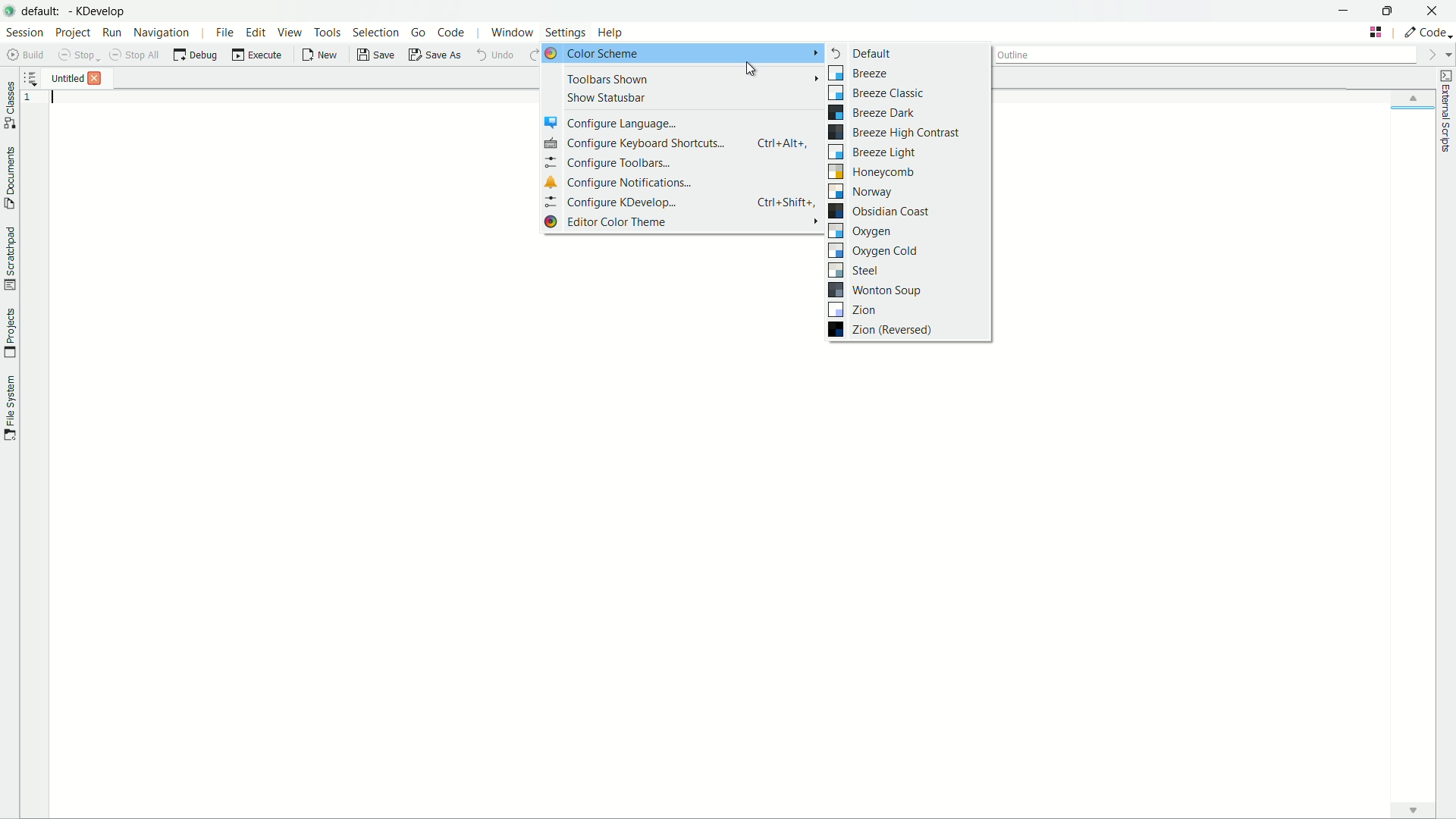  Describe the element at coordinates (877, 93) in the screenshot. I see `breeze classic` at that location.